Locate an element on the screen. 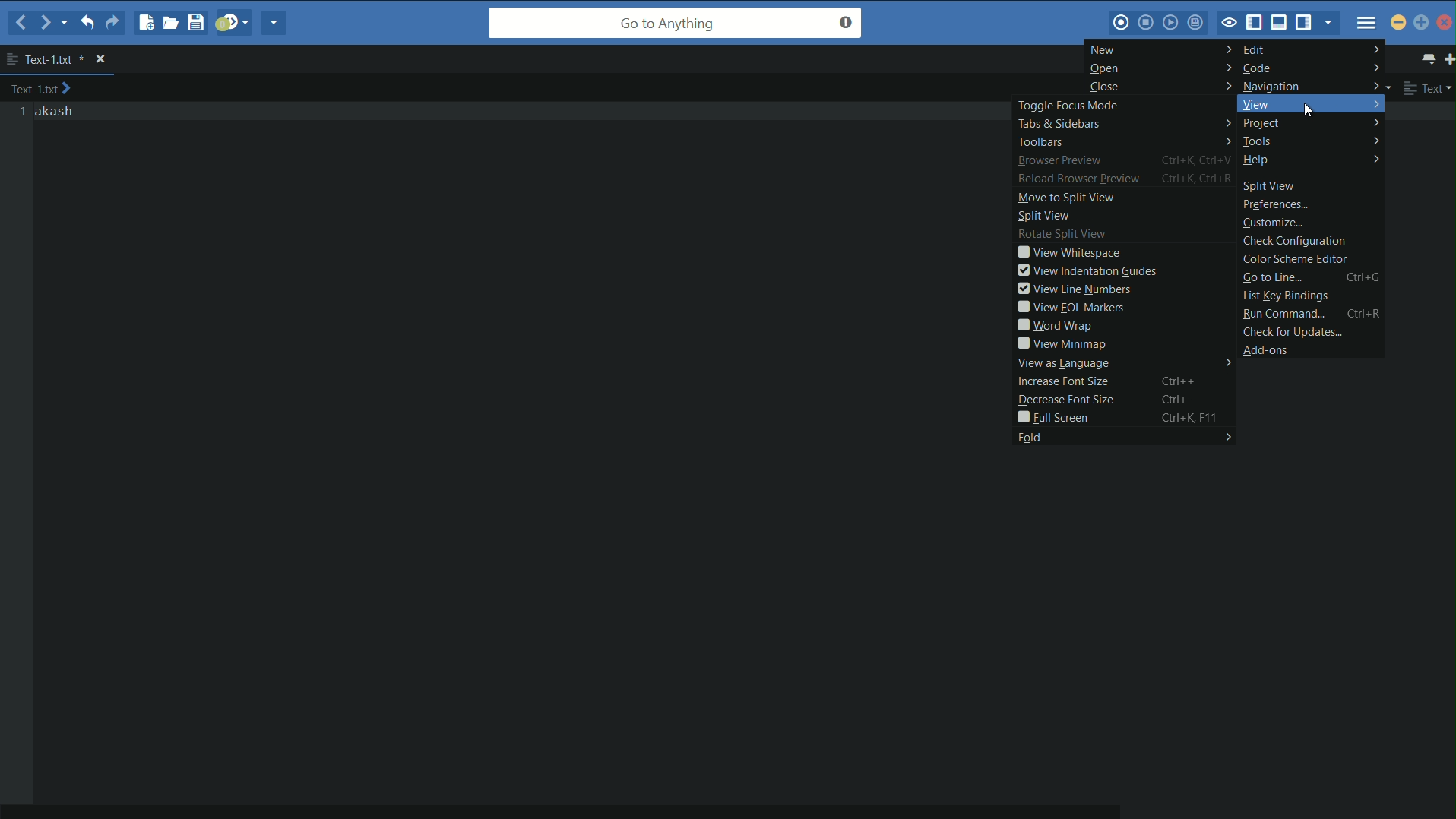 This screenshot has height=819, width=1456. show/hide left panel is located at coordinates (1255, 24).